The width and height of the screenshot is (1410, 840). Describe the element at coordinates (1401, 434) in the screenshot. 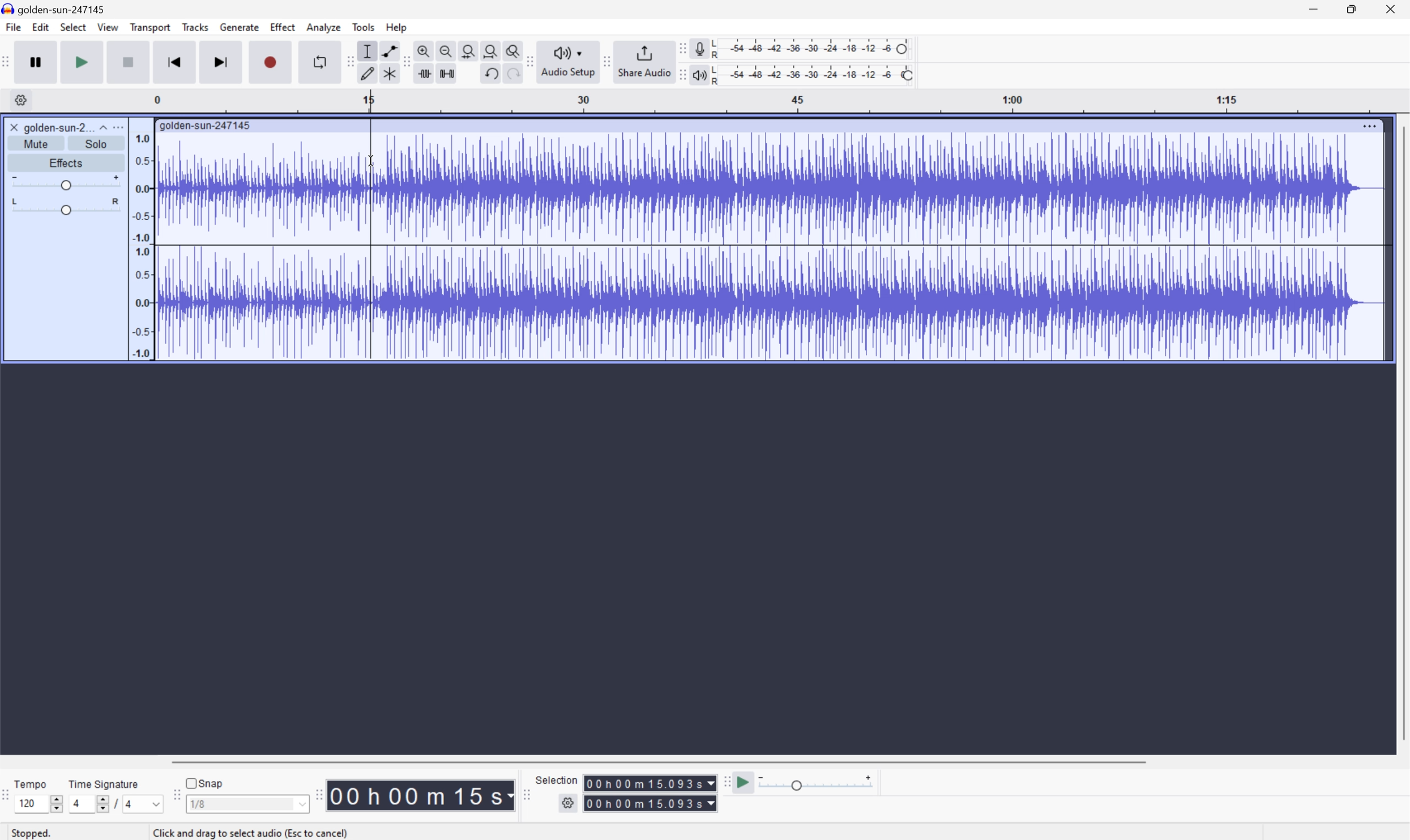

I see `Scroll Bar` at that location.